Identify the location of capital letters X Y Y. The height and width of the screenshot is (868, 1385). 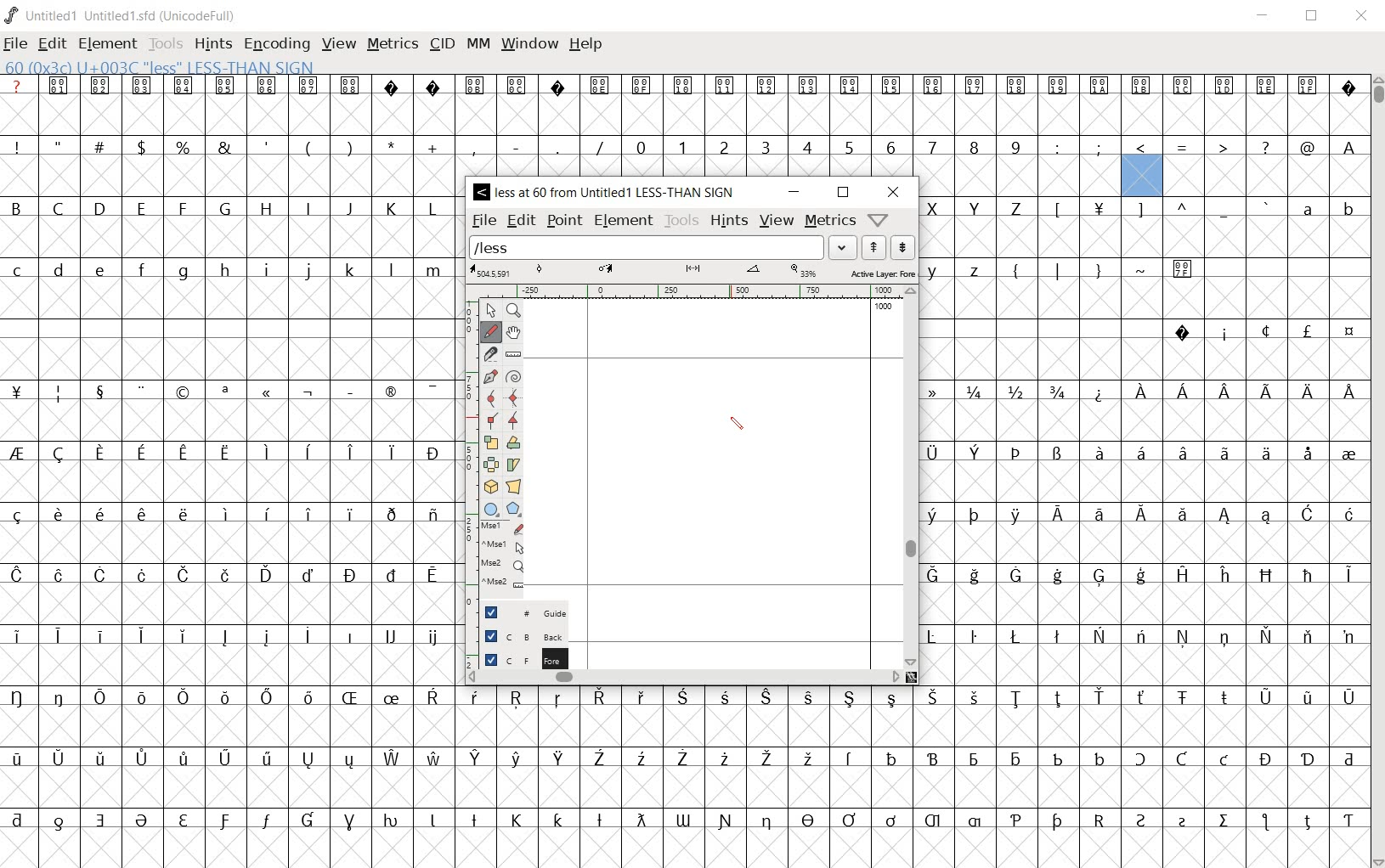
(980, 206).